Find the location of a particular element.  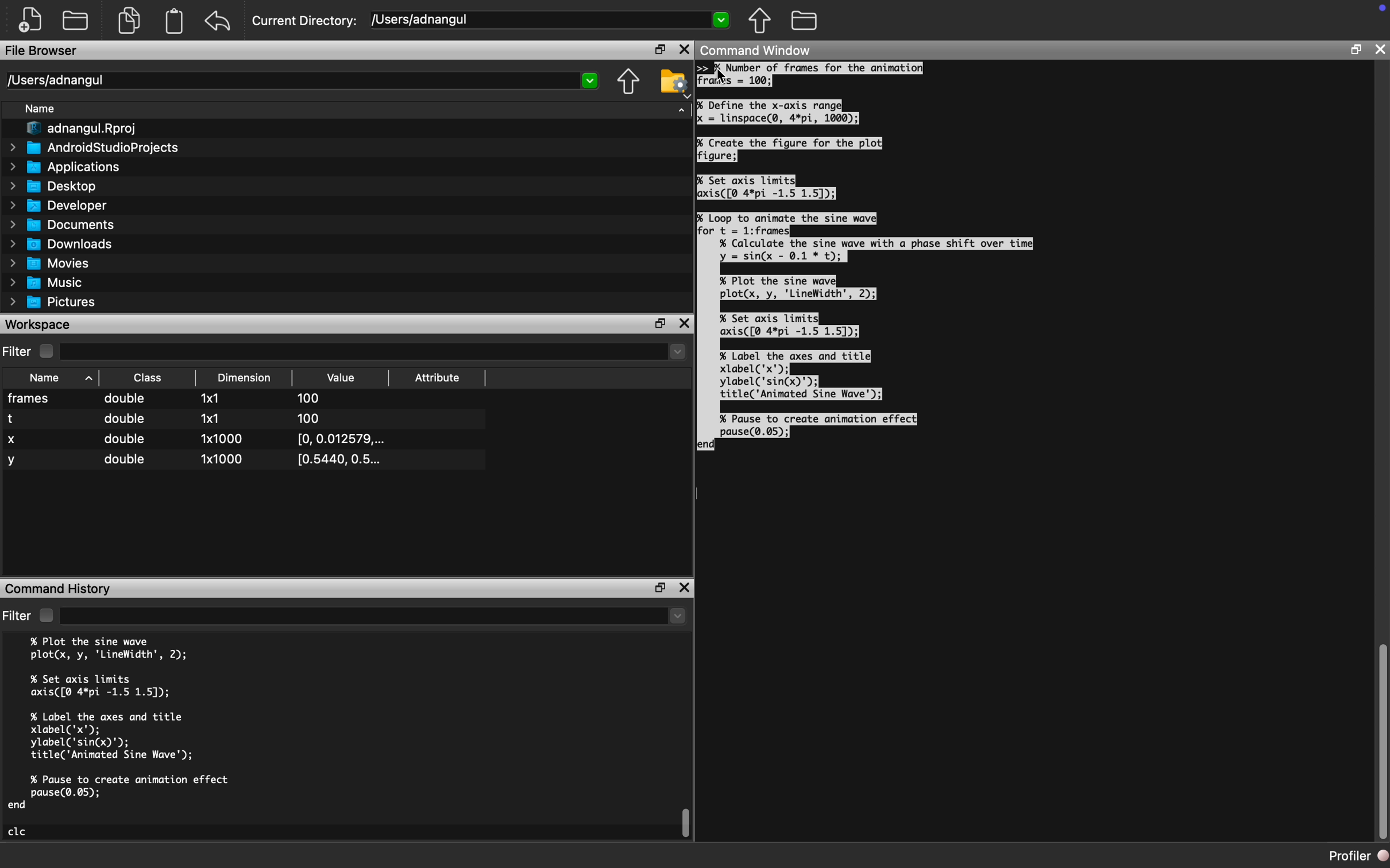

X double 1x1000 [0, 0.012579,... is located at coordinates (199, 441).